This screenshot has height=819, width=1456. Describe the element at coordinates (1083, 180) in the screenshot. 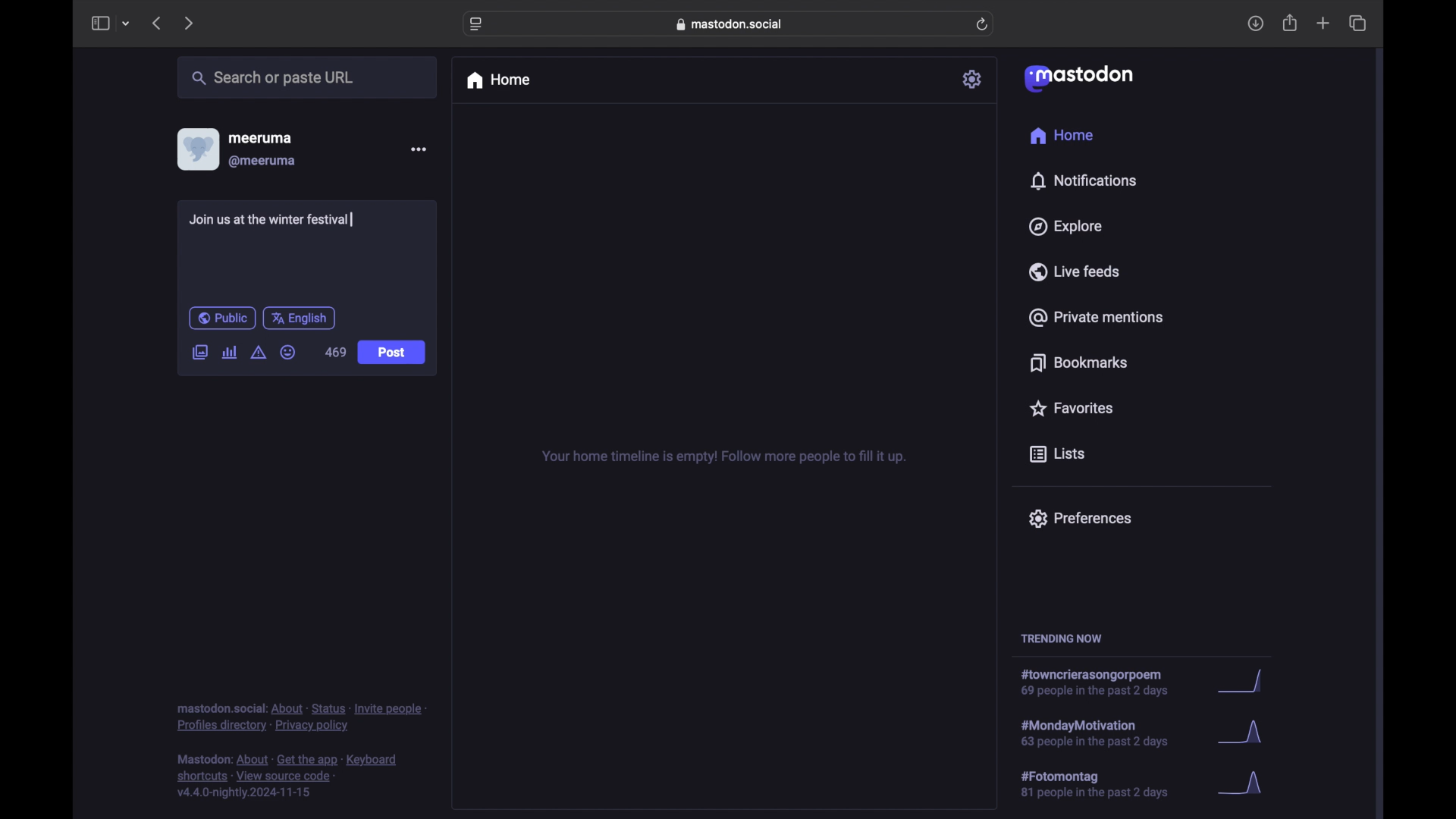

I see `notifications` at that location.